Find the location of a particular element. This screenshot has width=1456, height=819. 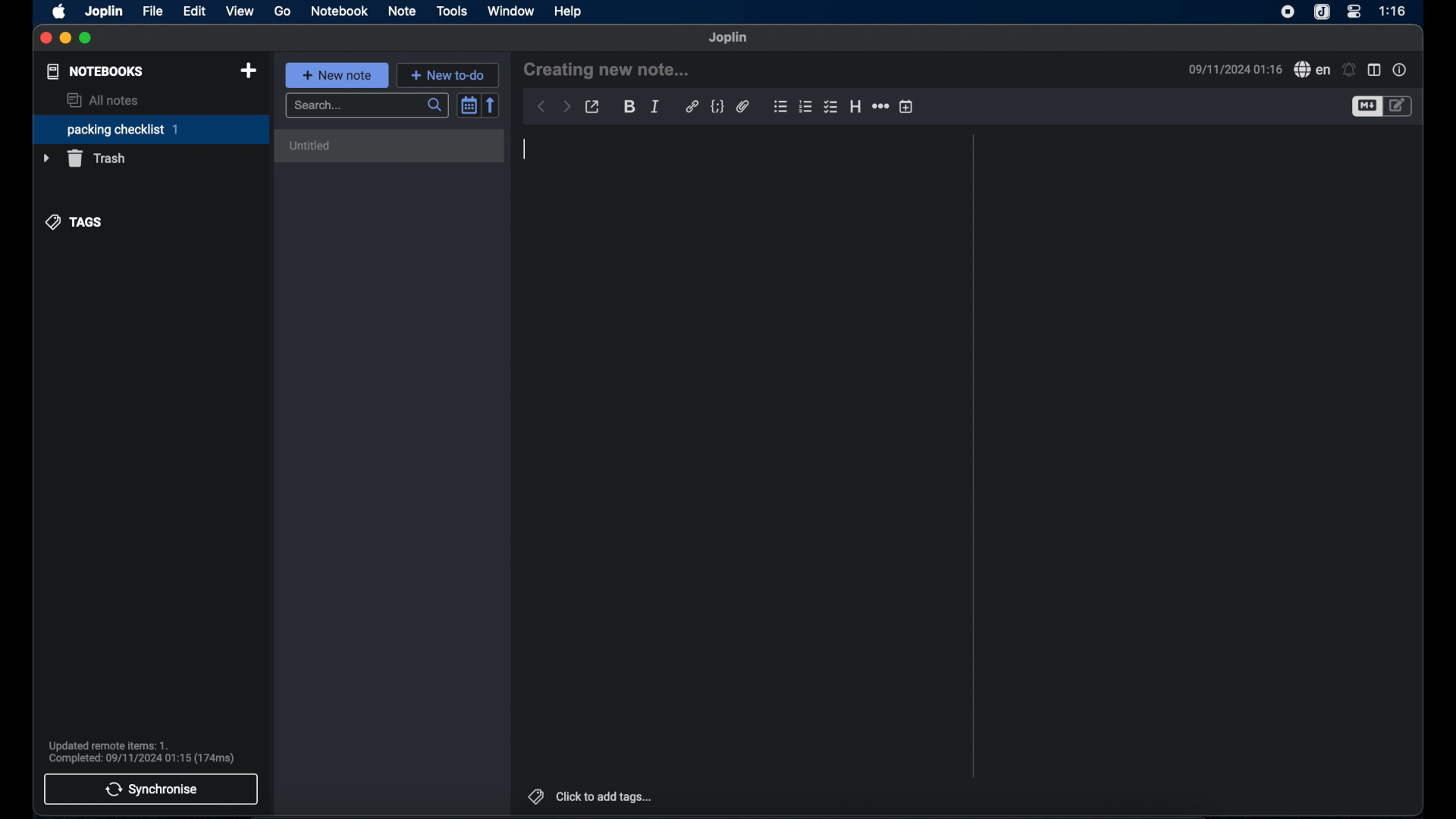

packing checklist is located at coordinates (150, 130).